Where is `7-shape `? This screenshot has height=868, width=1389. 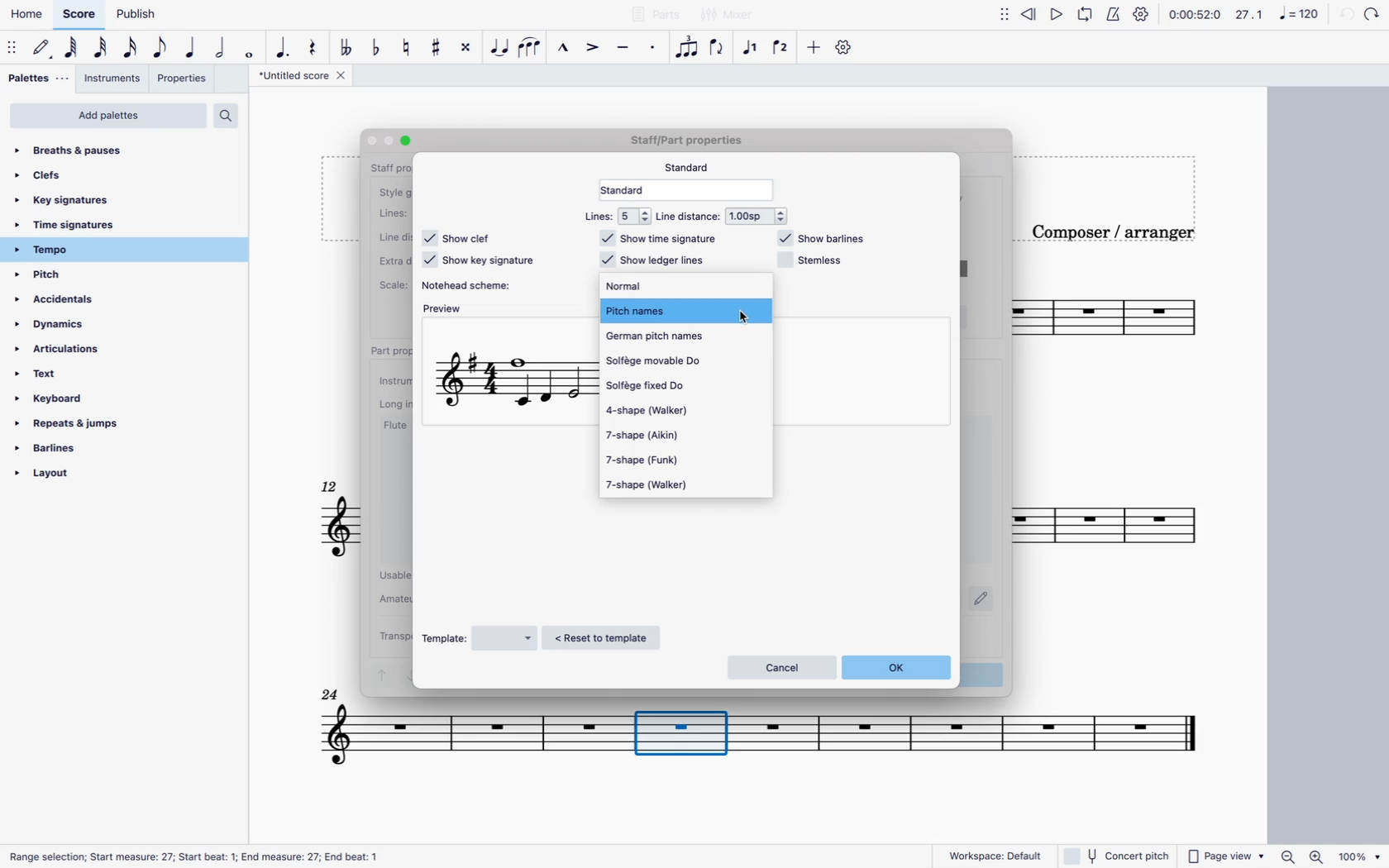 7-shape  is located at coordinates (660, 436).